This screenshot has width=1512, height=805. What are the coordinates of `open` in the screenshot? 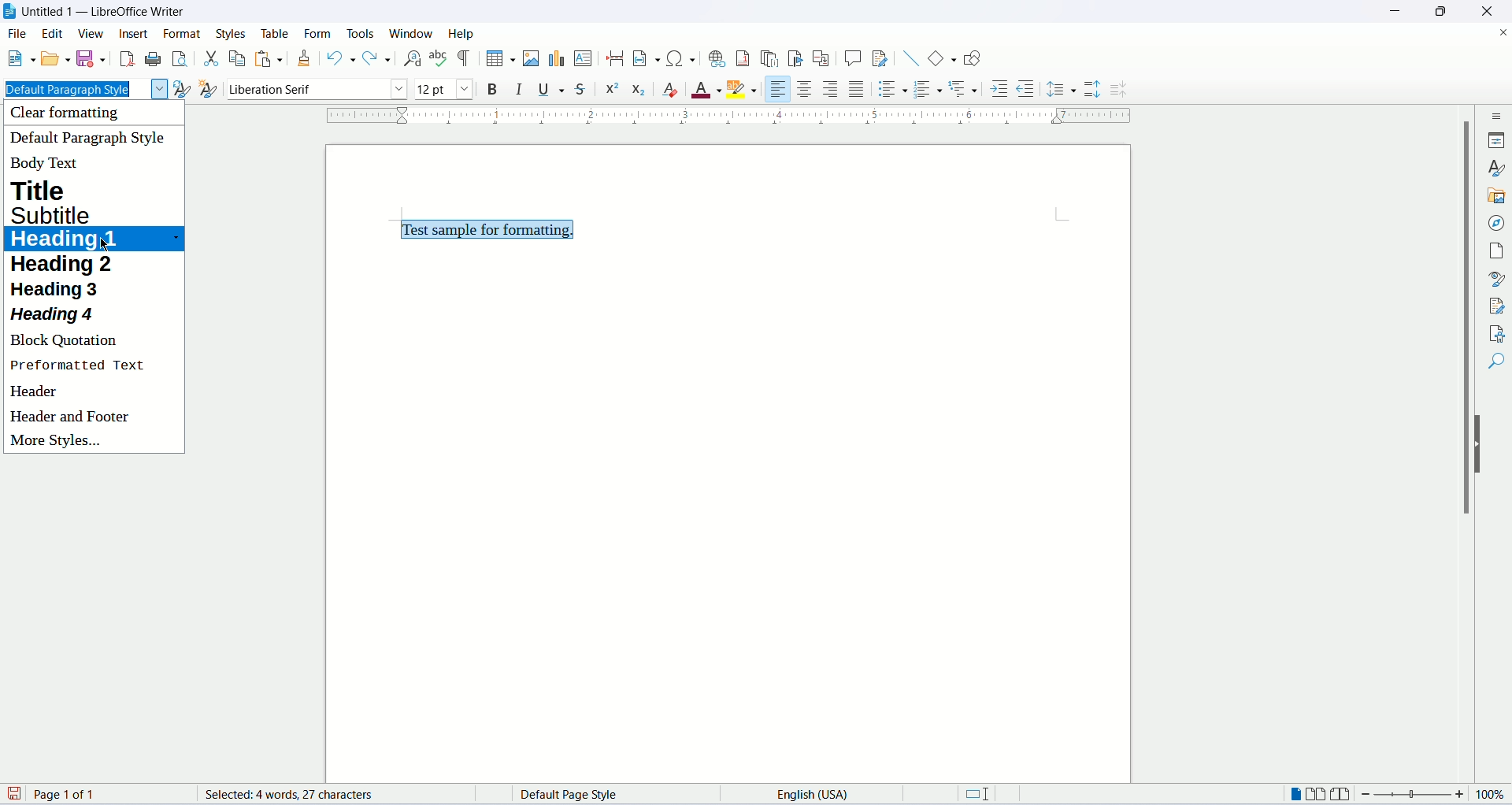 It's located at (54, 59).